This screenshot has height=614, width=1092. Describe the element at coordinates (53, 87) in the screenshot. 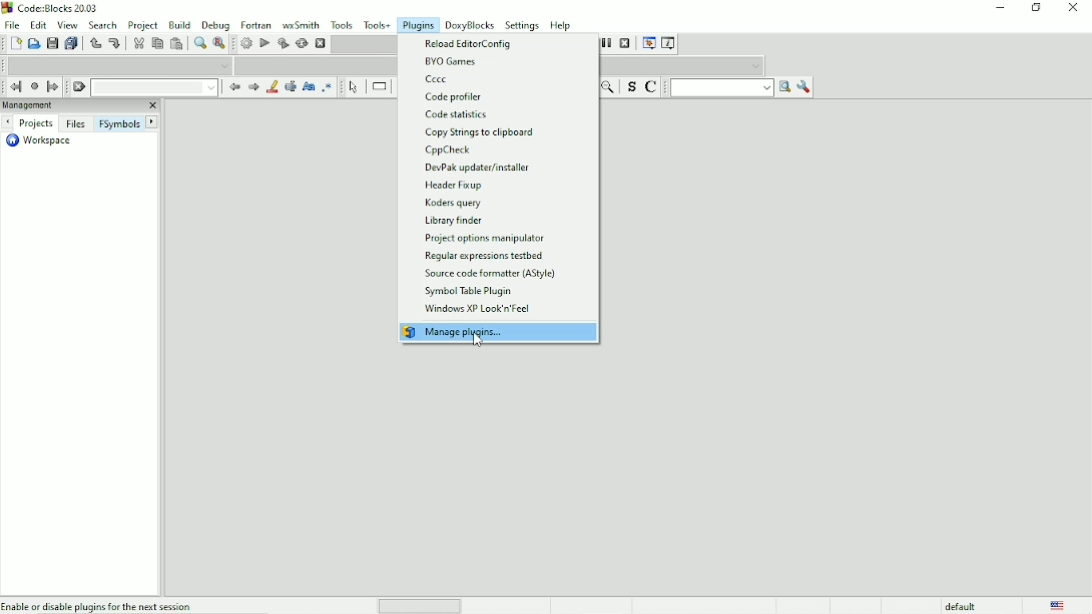

I see `Jump forward` at that location.